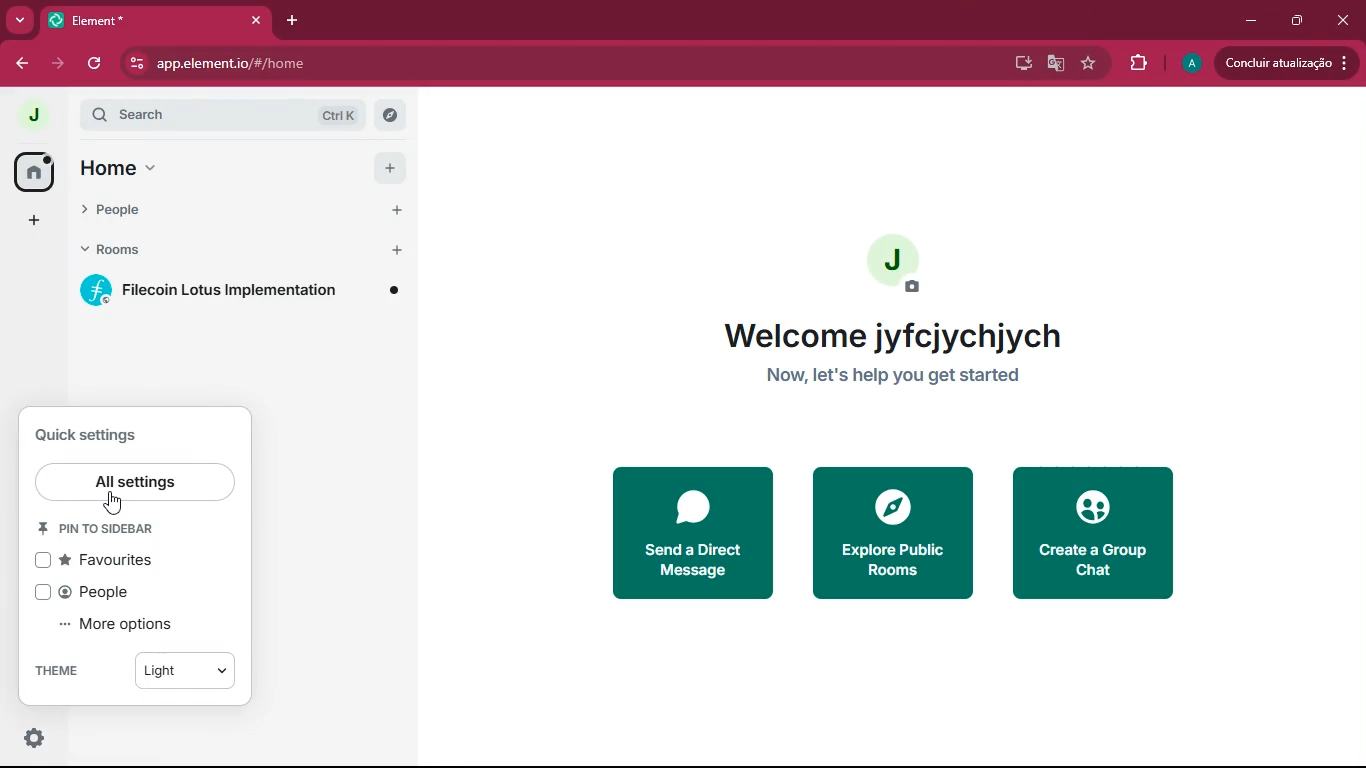 The image size is (1366, 768). What do you see at coordinates (56, 65) in the screenshot?
I see `forward` at bounding box center [56, 65].